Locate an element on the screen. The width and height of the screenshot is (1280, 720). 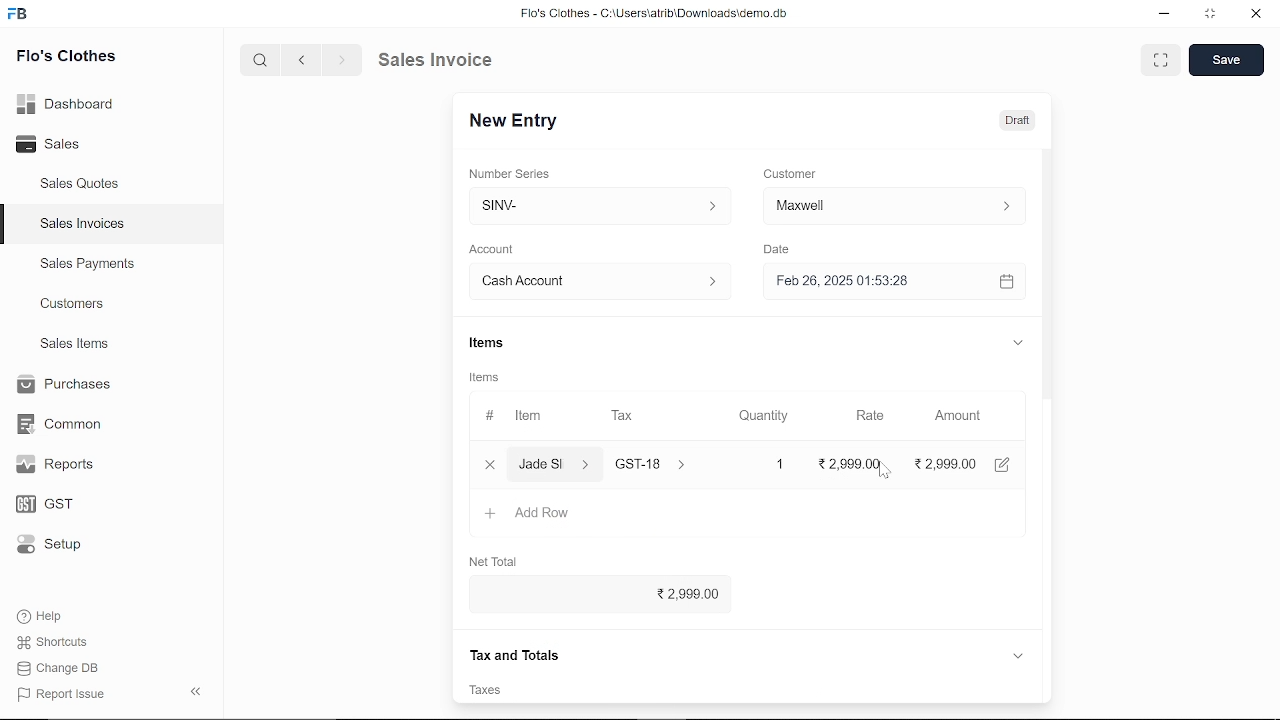
Quantity is located at coordinates (759, 417).